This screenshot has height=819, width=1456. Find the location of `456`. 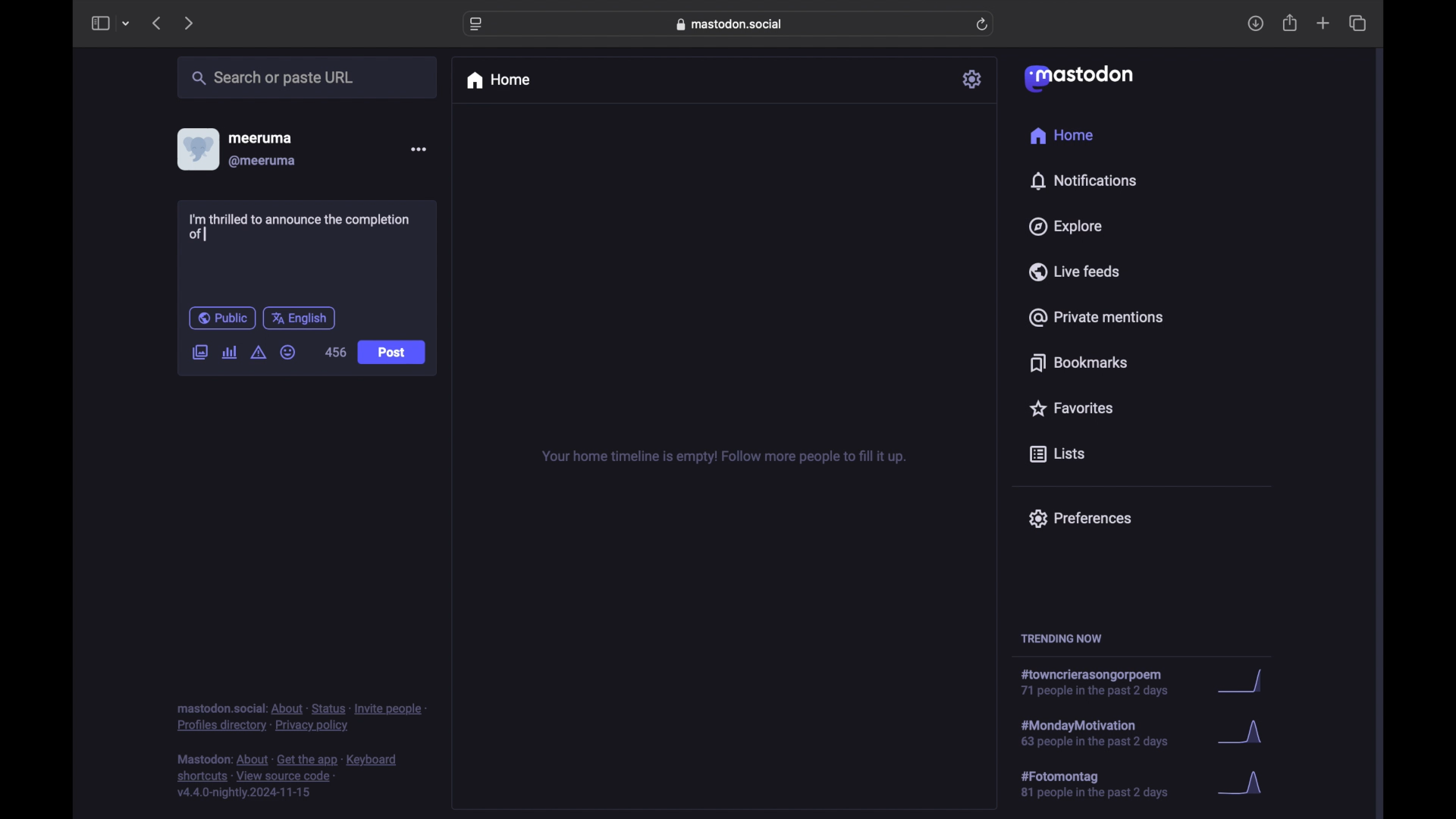

456 is located at coordinates (336, 352).